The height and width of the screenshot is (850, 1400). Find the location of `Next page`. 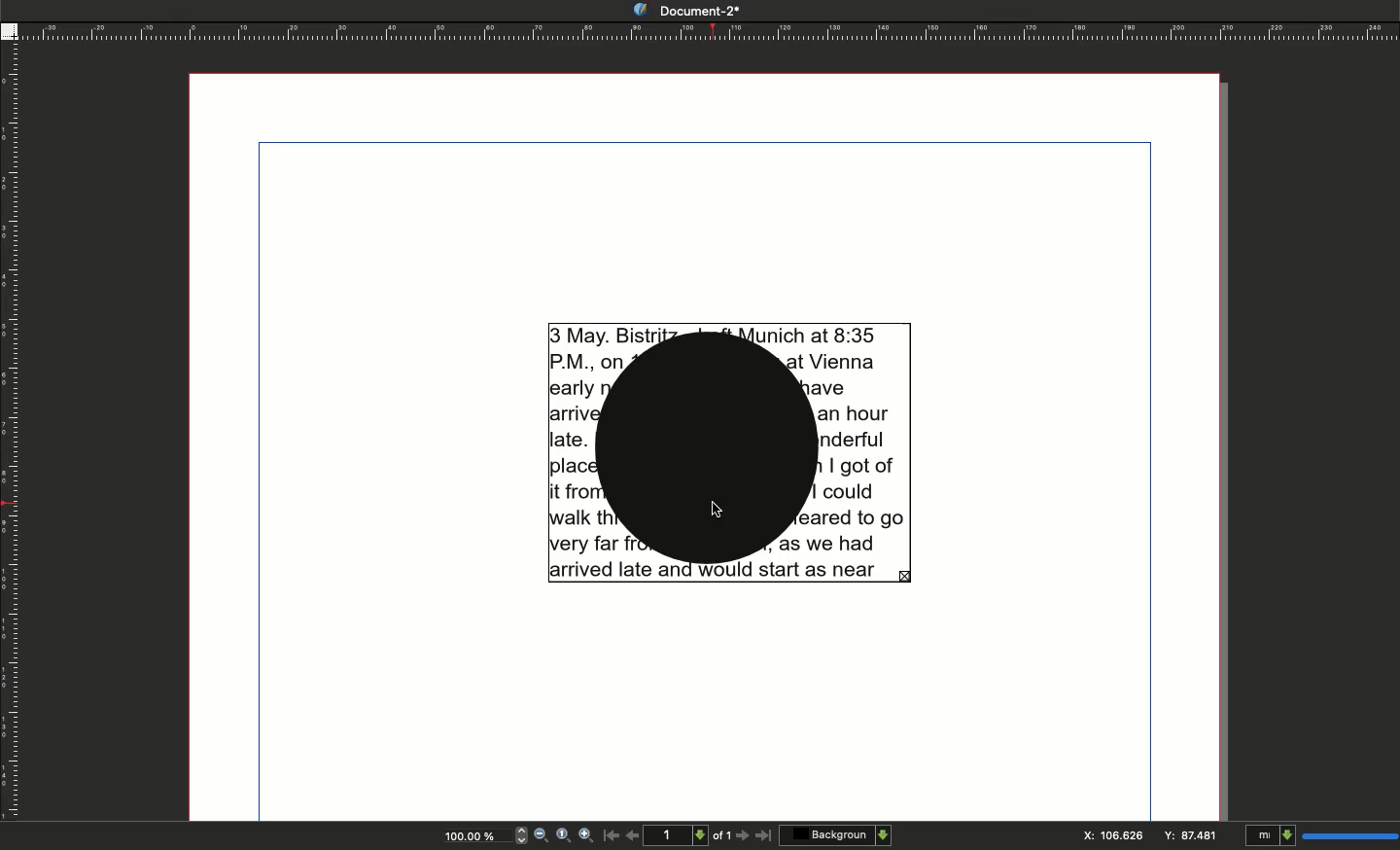

Next page is located at coordinates (743, 836).